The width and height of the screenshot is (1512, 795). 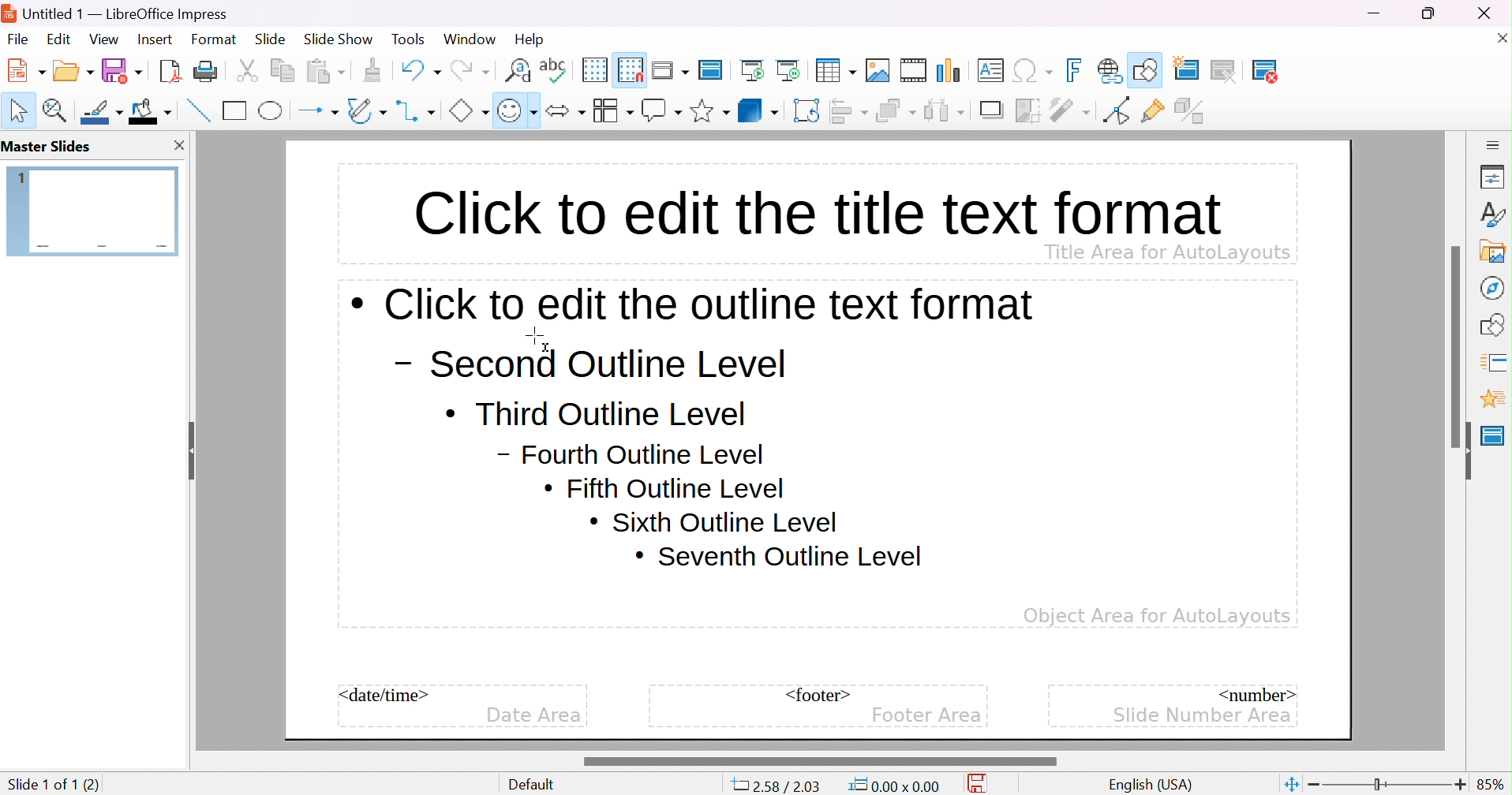 I want to click on shapes, so click(x=1495, y=323).